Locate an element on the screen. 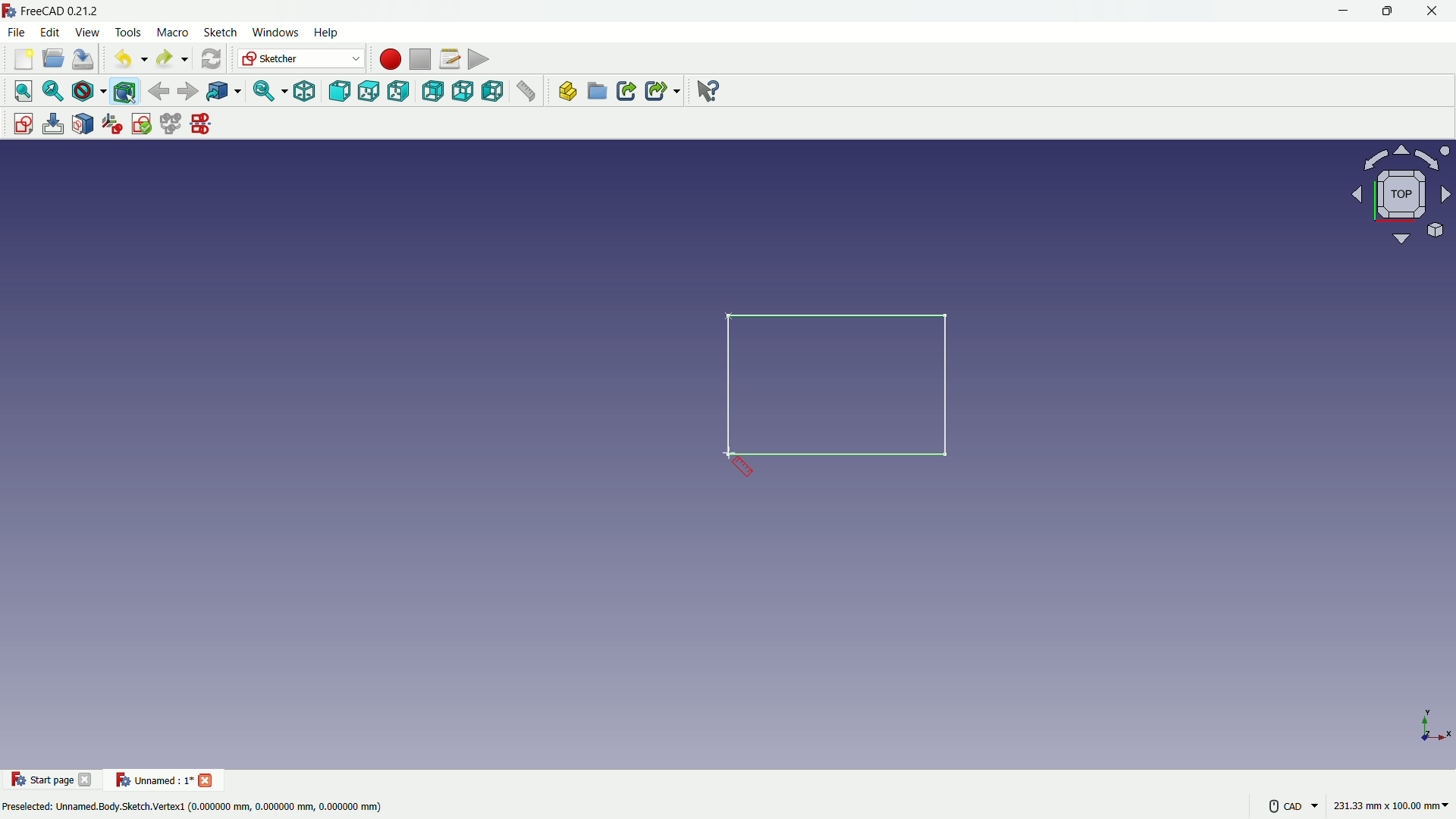 Image resolution: width=1456 pixels, height=819 pixels. more settings is located at coordinates (1289, 805).